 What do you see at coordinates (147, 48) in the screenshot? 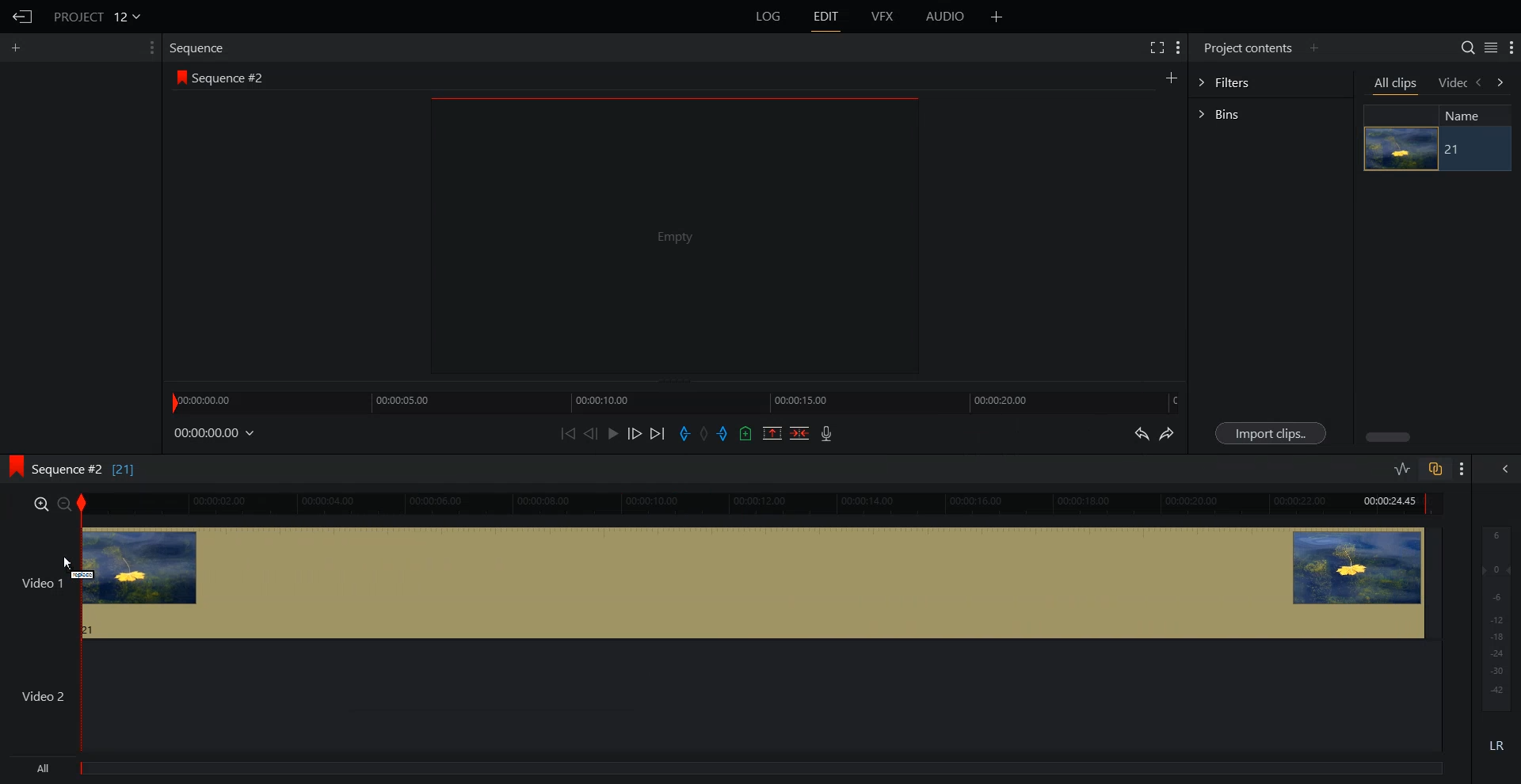
I see `Show Setting Menu` at bounding box center [147, 48].